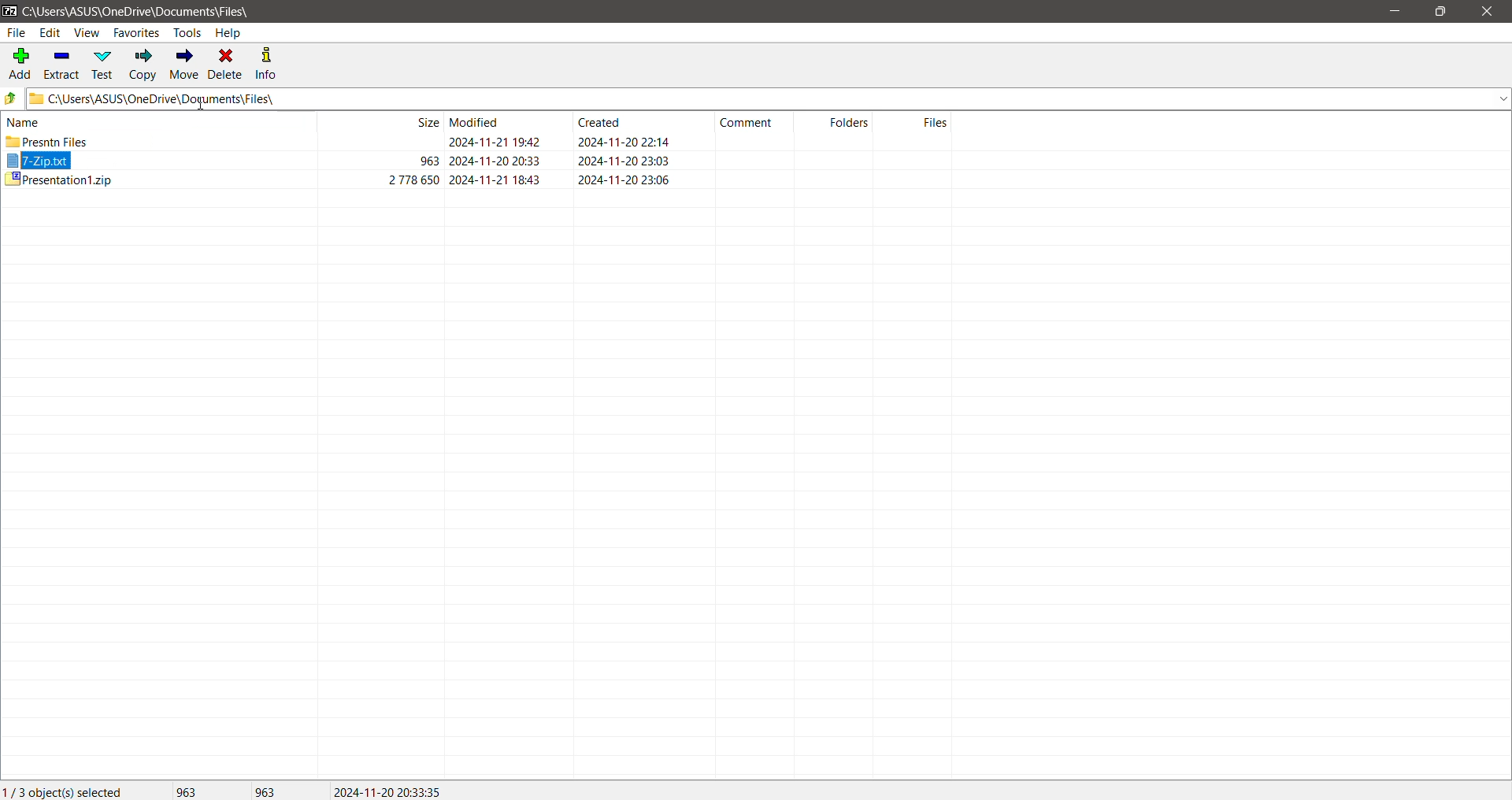 Image resolution: width=1512 pixels, height=800 pixels. Describe the element at coordinates (428, 122) in the screenshot. I see `size` at that location.